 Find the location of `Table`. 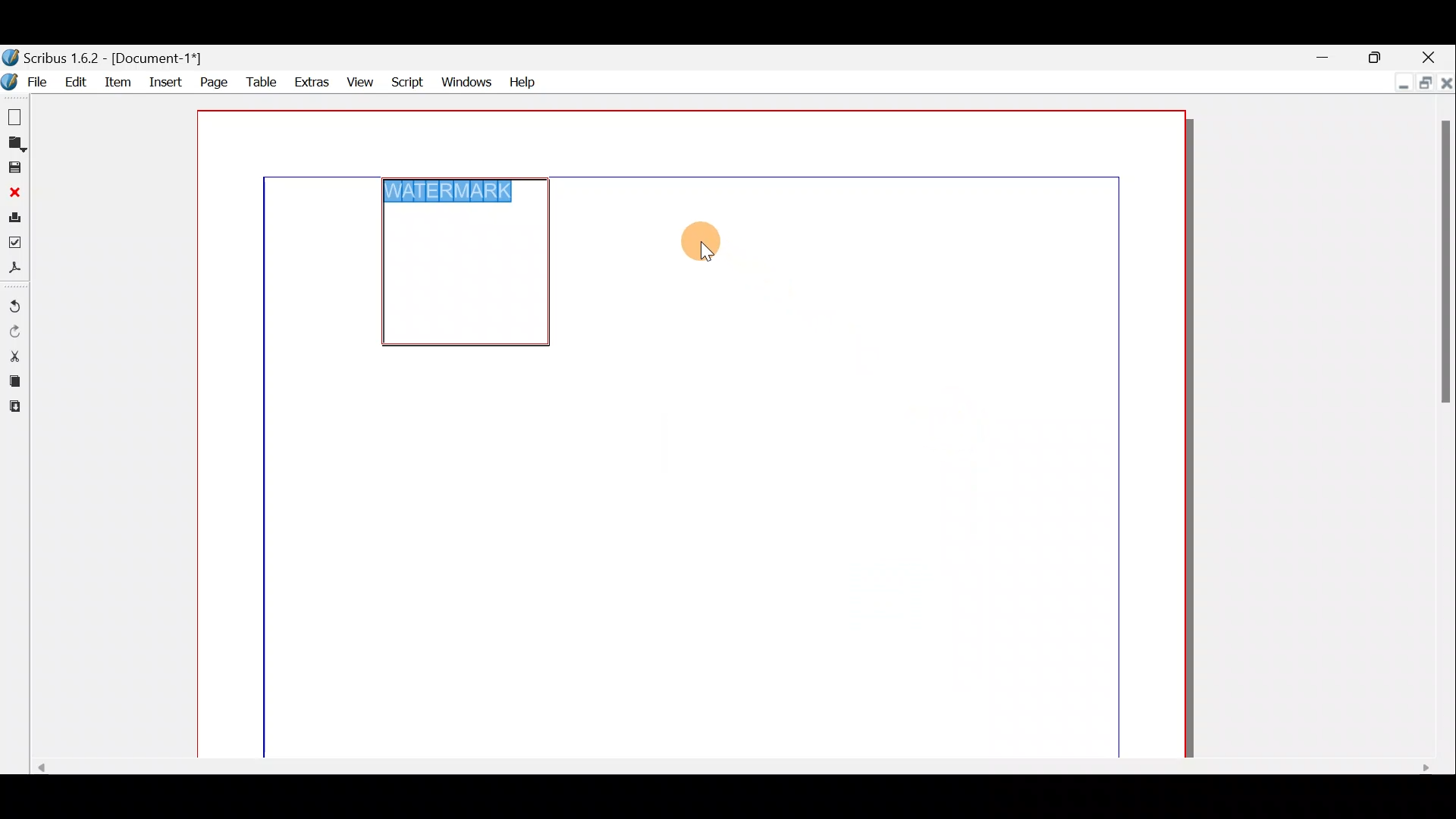

Table is located at coordinates (260, 83).